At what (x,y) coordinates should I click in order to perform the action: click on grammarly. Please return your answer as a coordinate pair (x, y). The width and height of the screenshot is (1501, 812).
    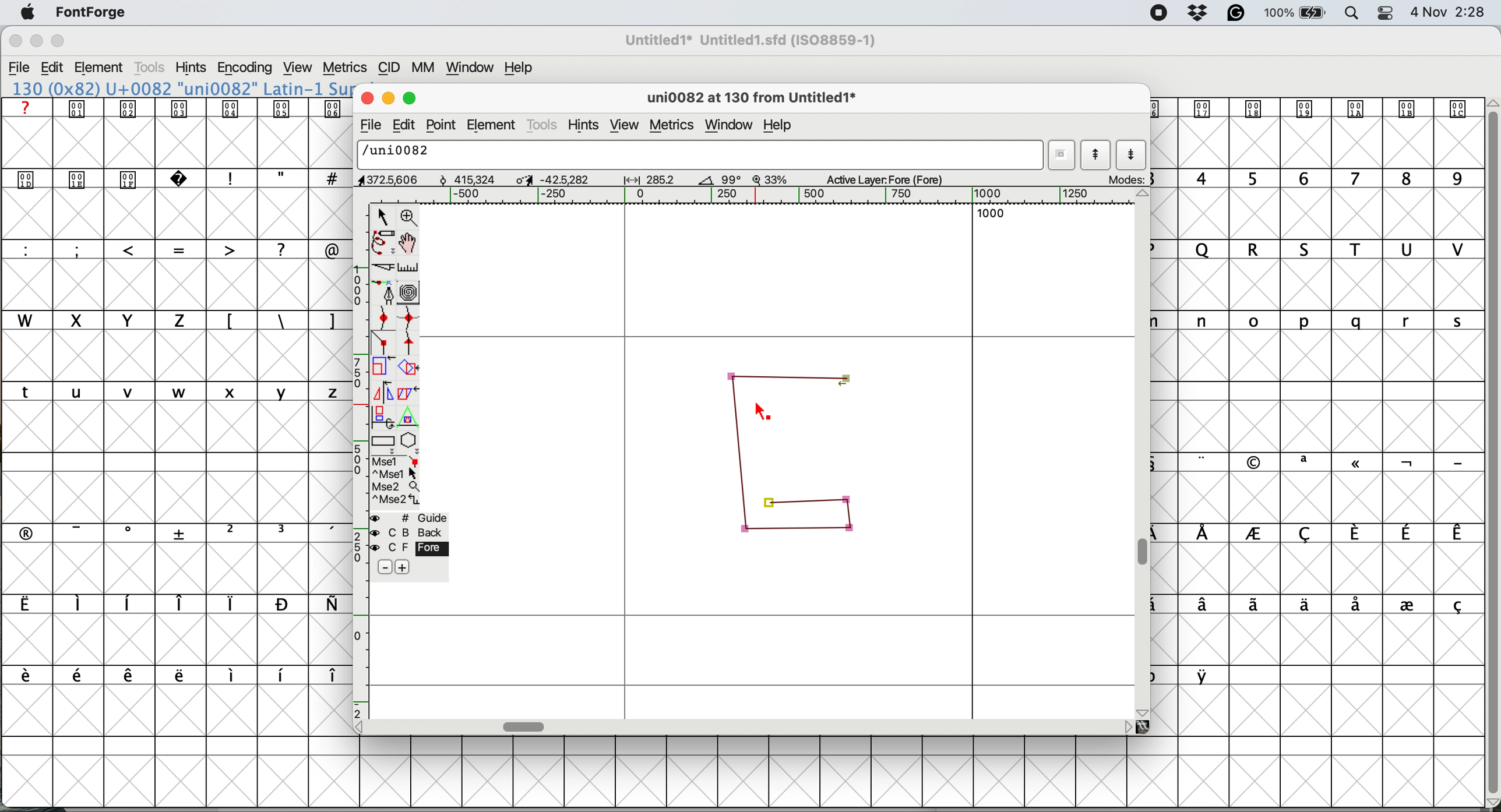
    Looking at the image, I should click on (1238, 14).